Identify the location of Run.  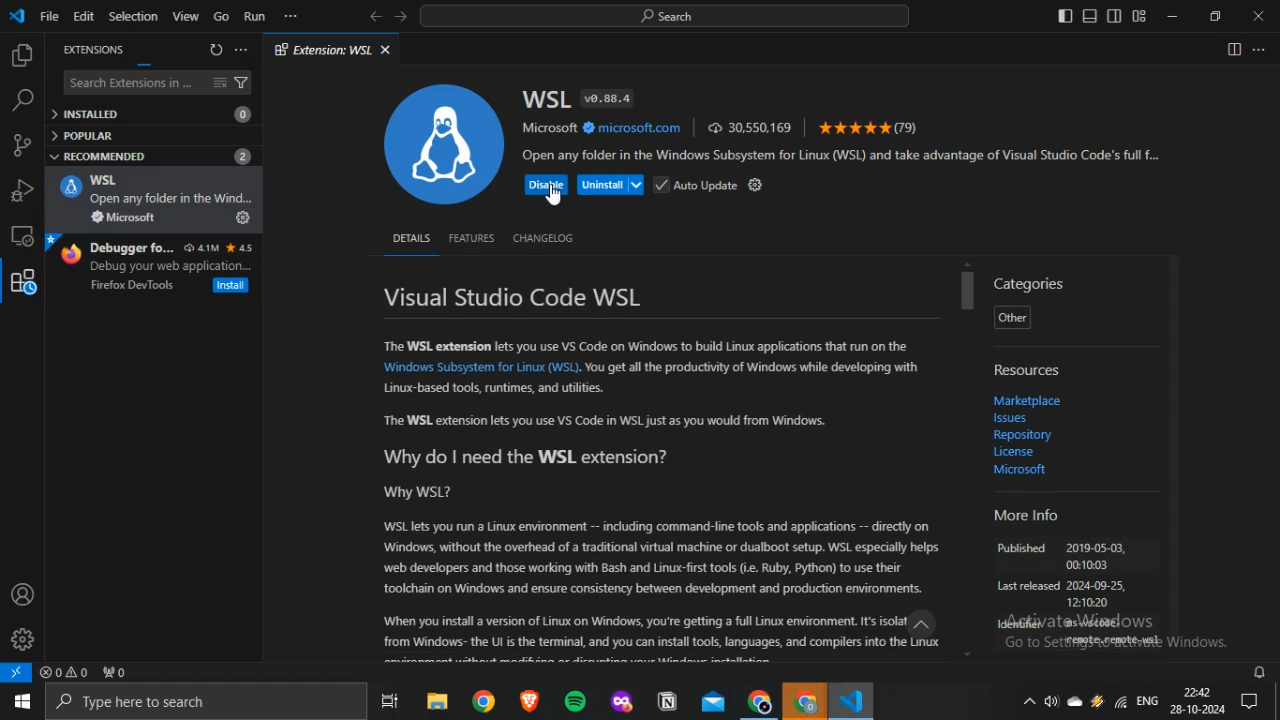
(255, 16).